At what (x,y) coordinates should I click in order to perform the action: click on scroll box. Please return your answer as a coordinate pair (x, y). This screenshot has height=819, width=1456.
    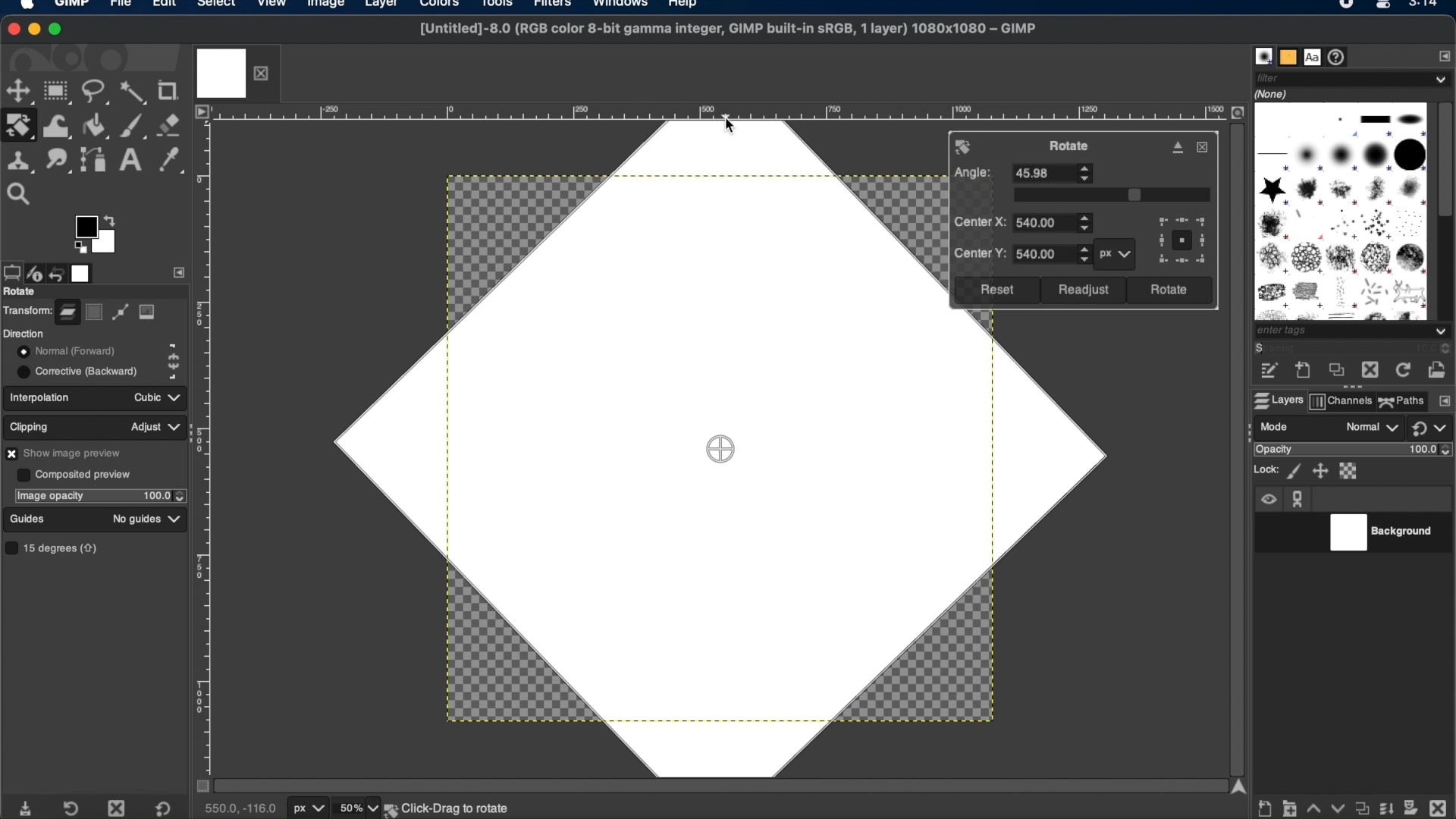
    Looking at the image, I should click on (1446, 162).